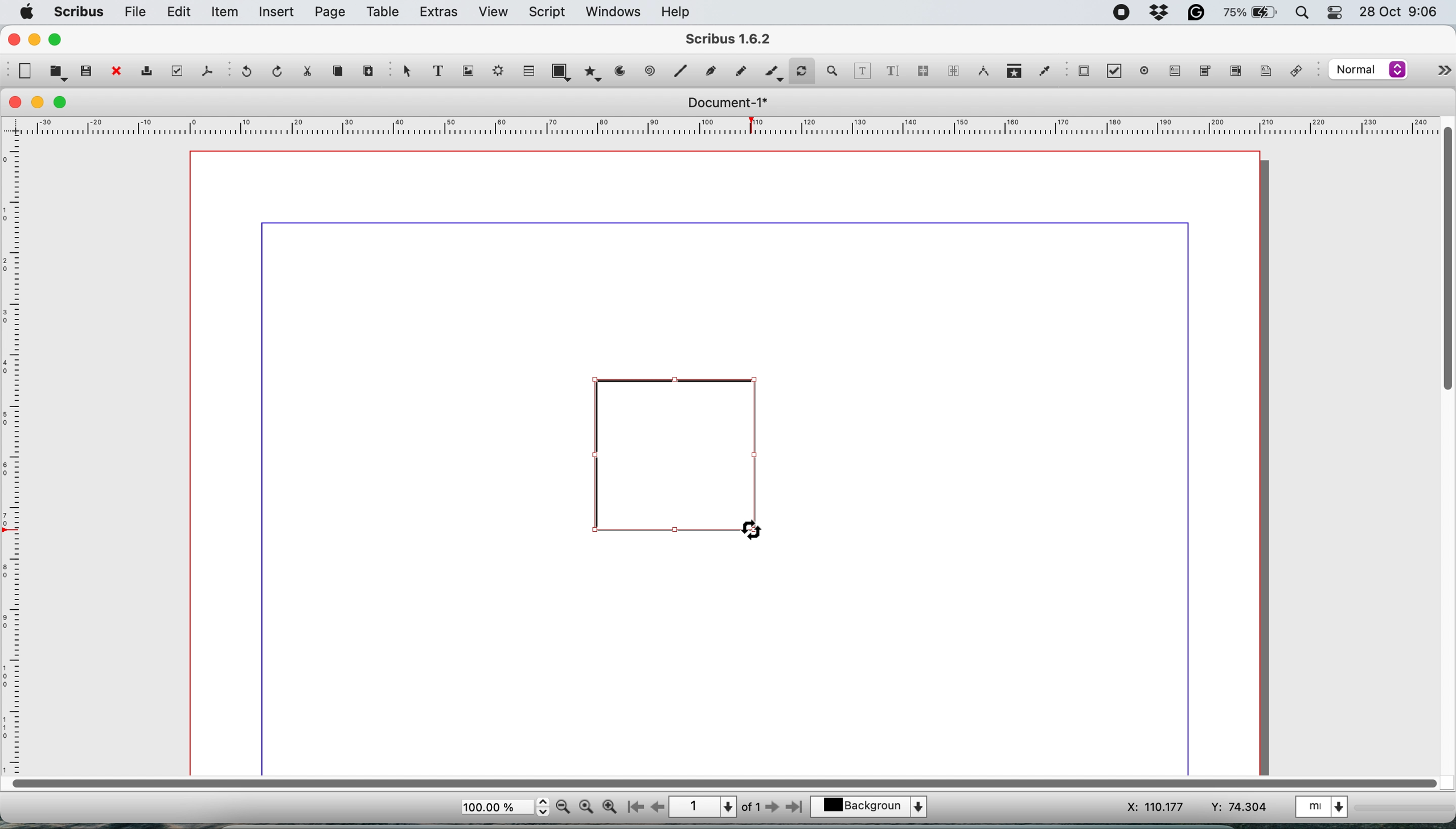 The image size is (1456, 829). What do you see at coordinates (650, 72) in the screenshot?
I see `line` at bounding box center [650, 72].